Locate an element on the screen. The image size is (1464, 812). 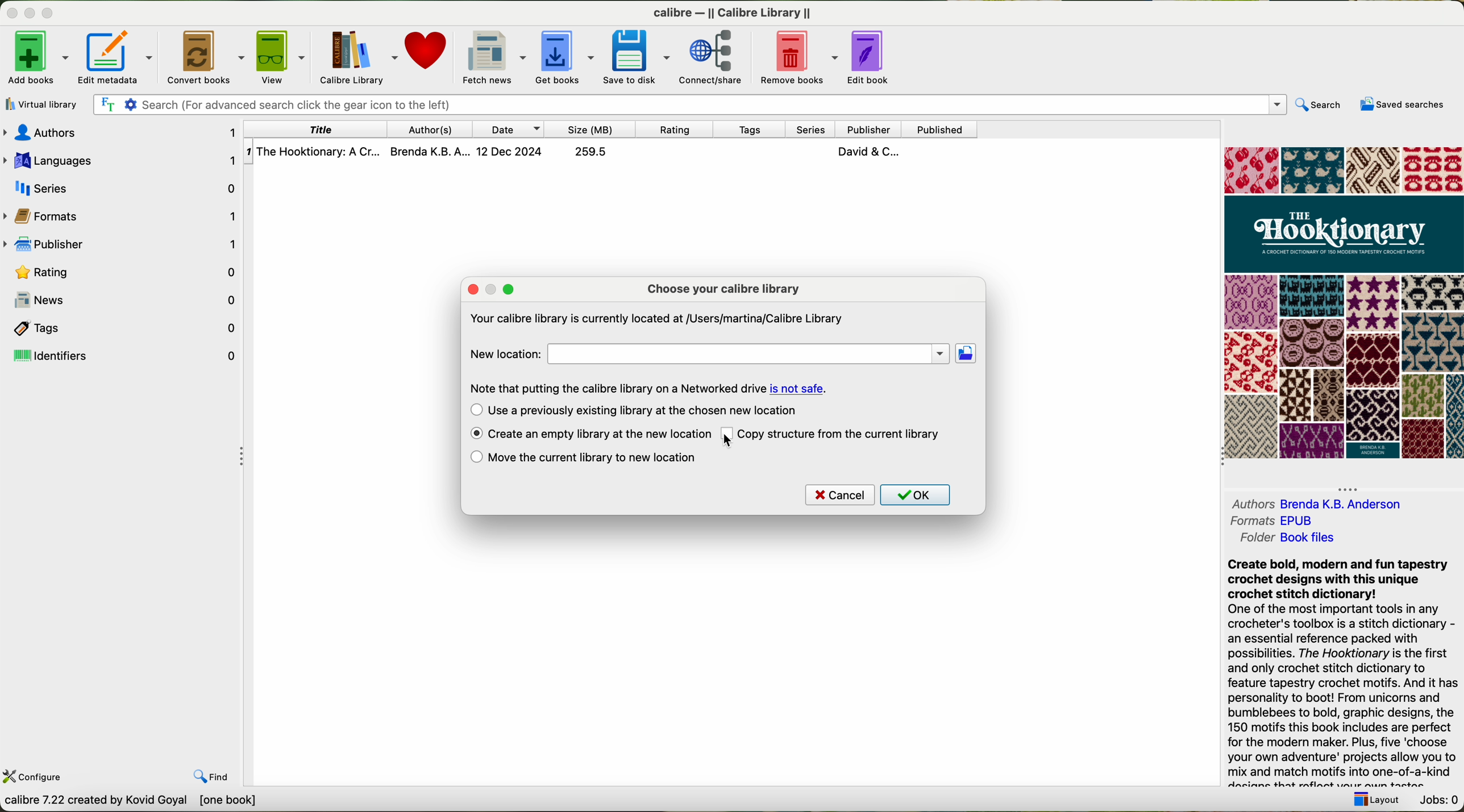
The Hooktionary: A Cr... Brenda K.B. A... 12 Dec 2024 259.5 is located at coordinates (576, 156).